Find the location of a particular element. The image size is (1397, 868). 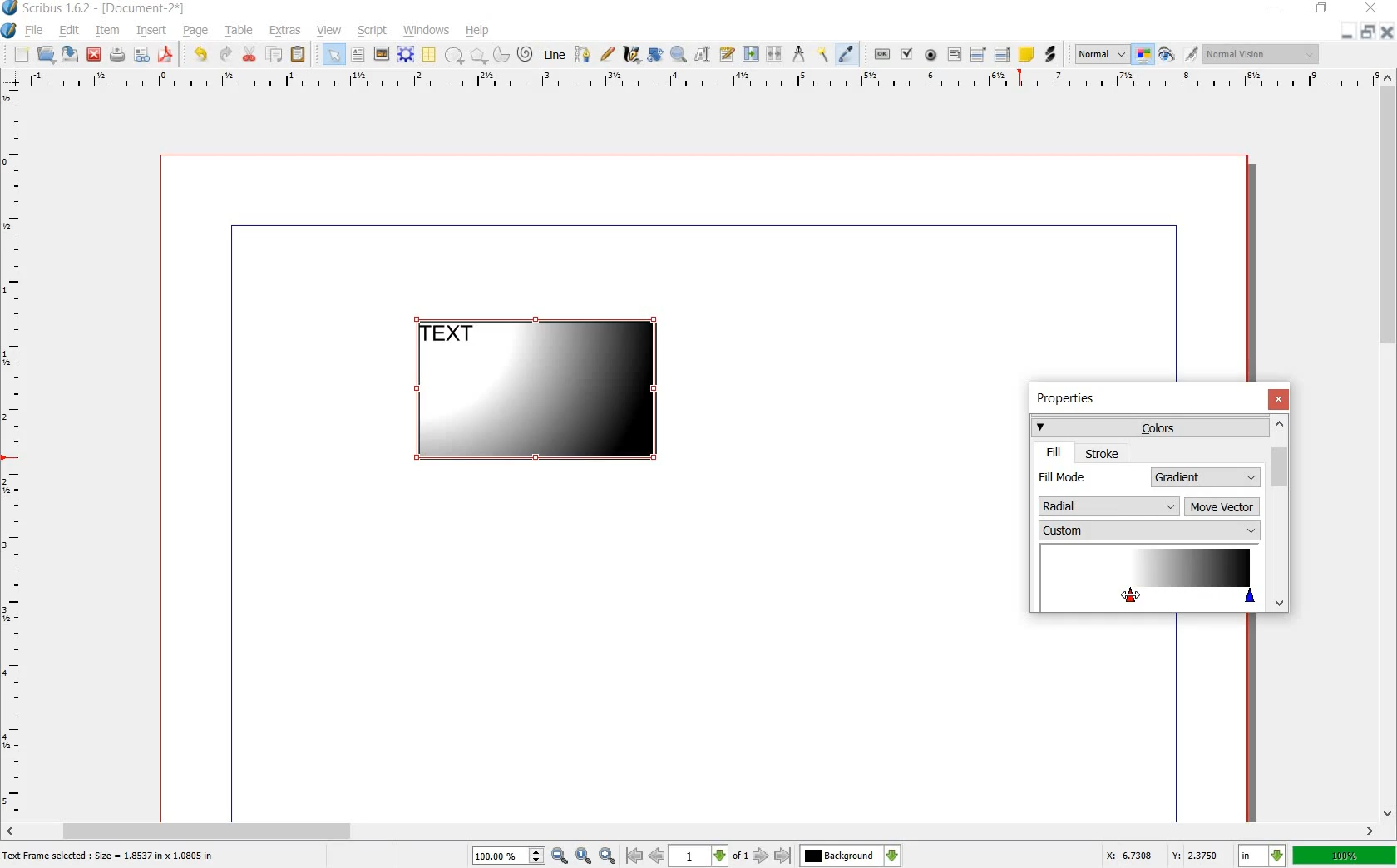

restore is located at coordinates (1322, 11).